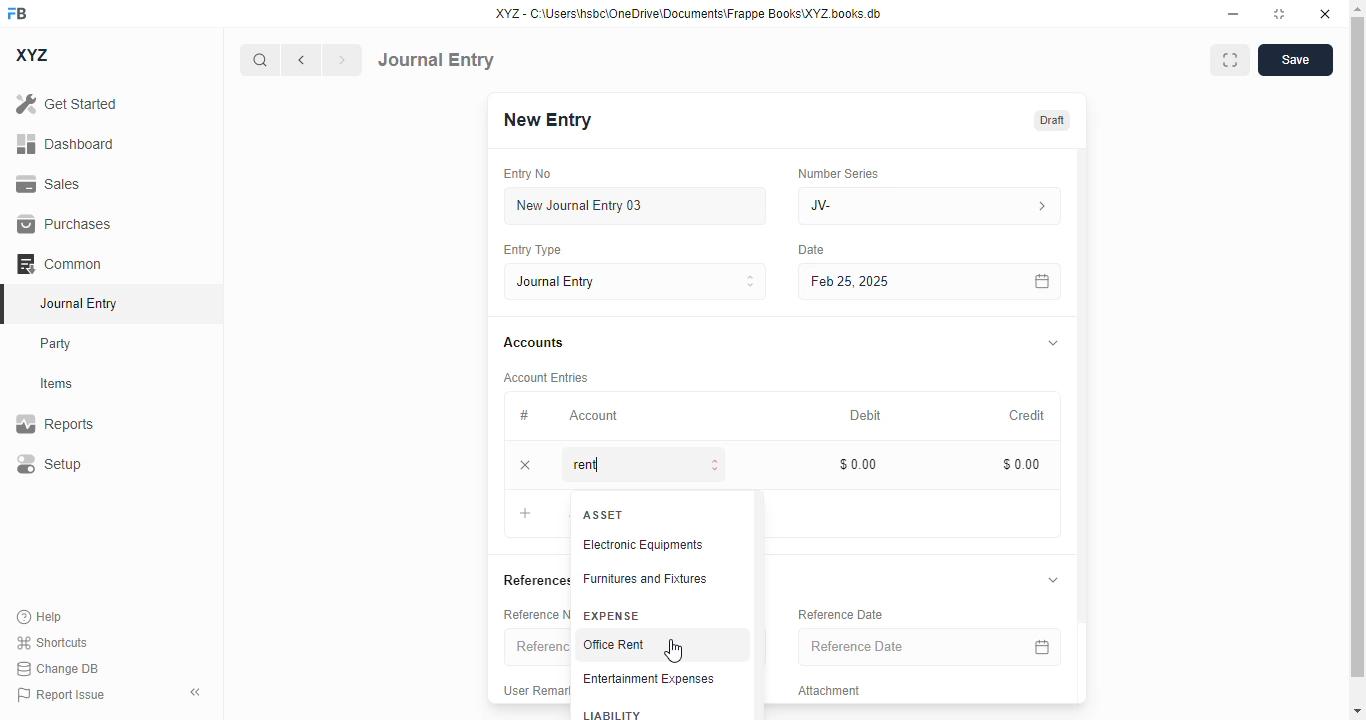 The height and width of the screenshot is (720, 1366). Describe the element at coordinates (65, 224) in the screenshot. I see `purchases` at that location.